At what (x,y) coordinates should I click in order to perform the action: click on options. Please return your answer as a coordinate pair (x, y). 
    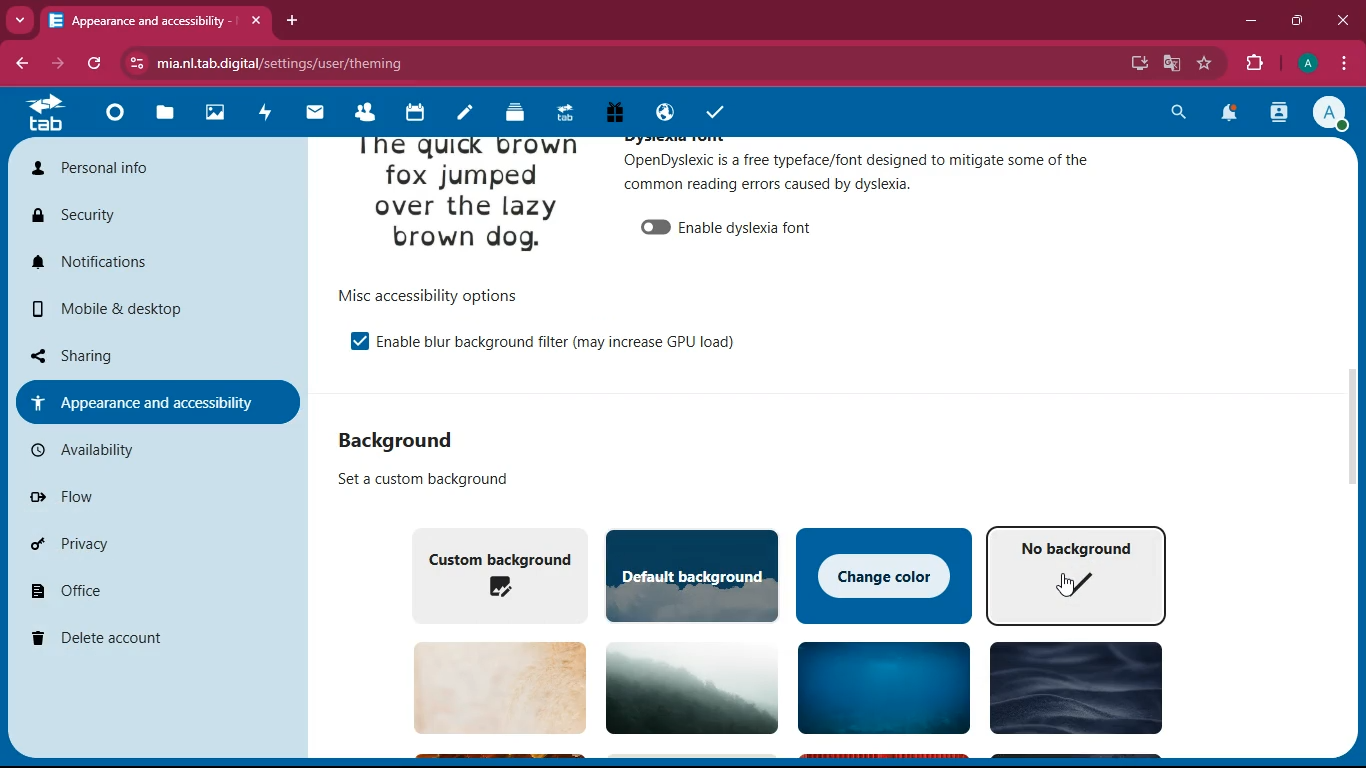
    Looking at the image, I should click on (426, 295).